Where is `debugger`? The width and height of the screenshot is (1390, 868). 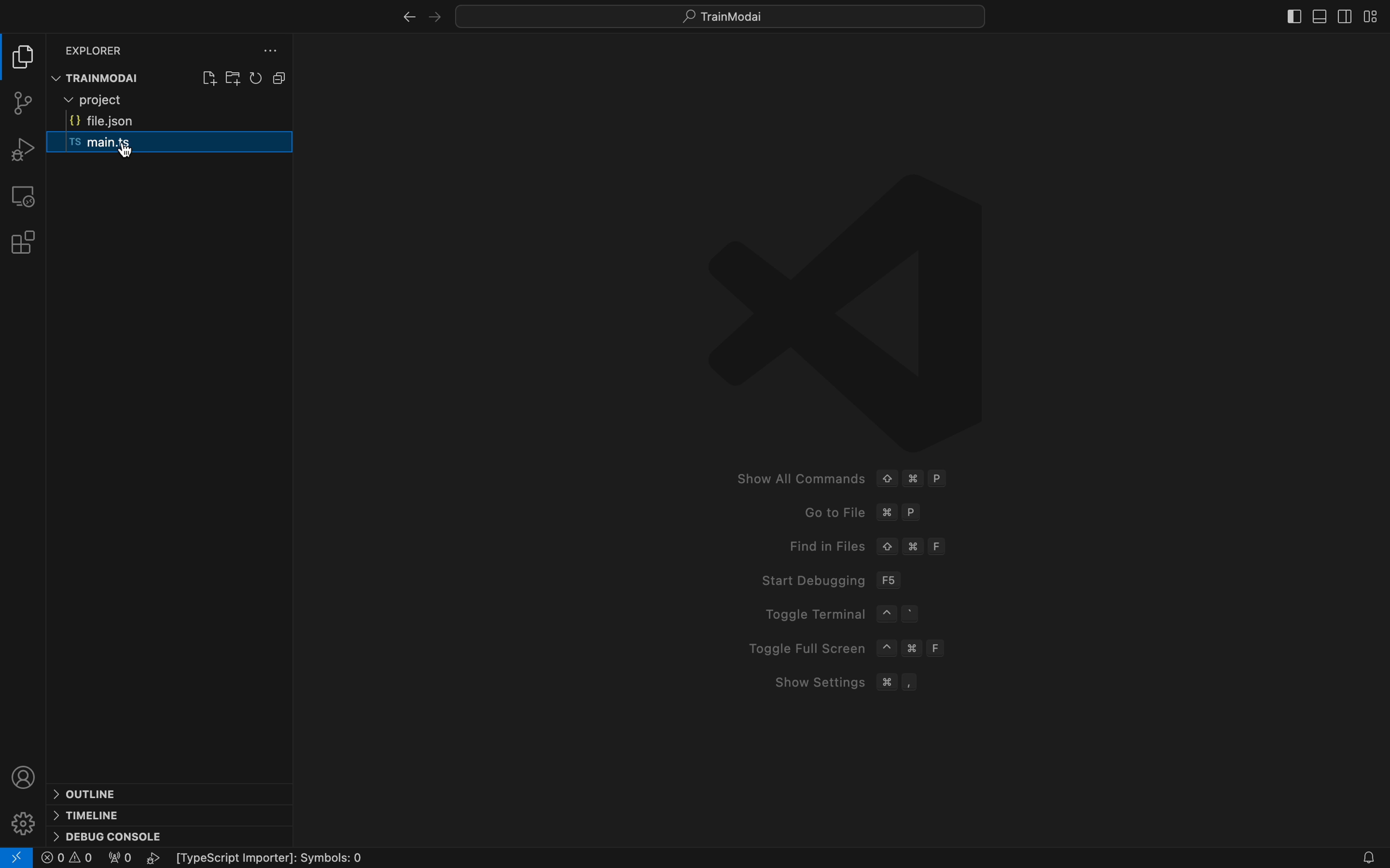
debugger is located at coordinates (25, 148).